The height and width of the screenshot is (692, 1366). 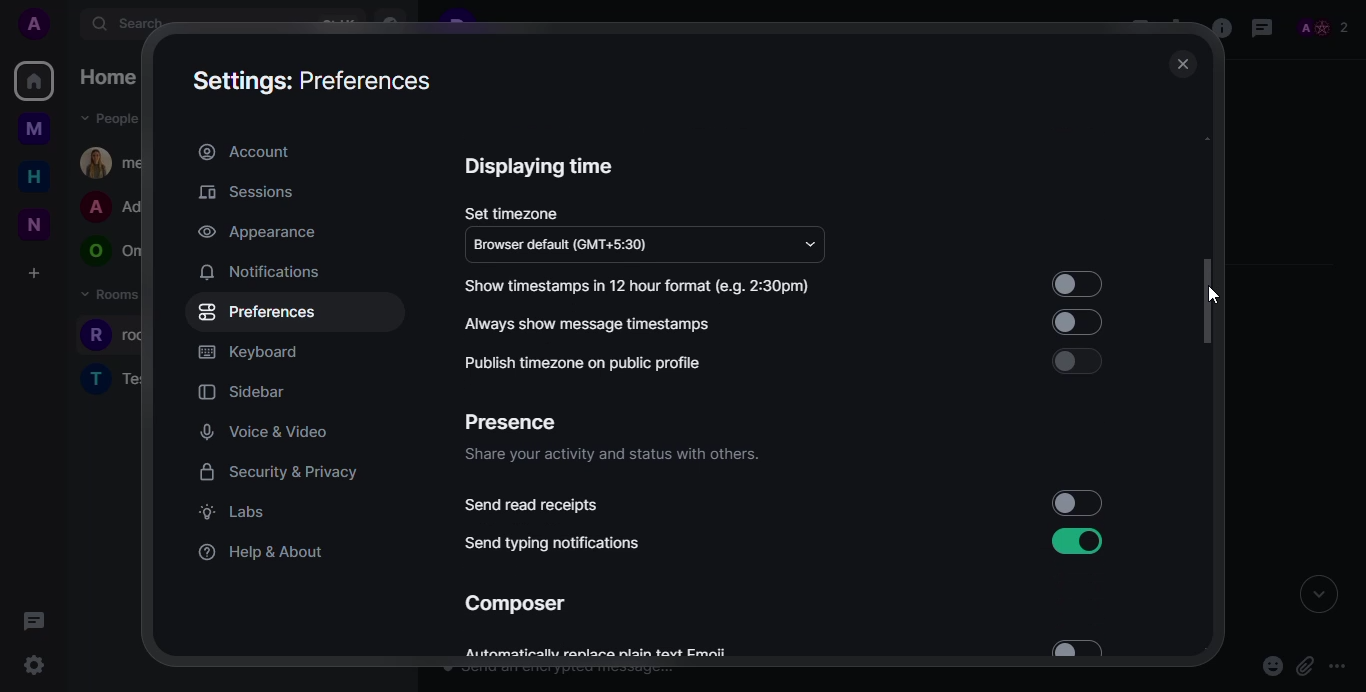 What do you see at coordinates (244, 150) in the screenshot?
I see `account` at bounding box center [244, 150].